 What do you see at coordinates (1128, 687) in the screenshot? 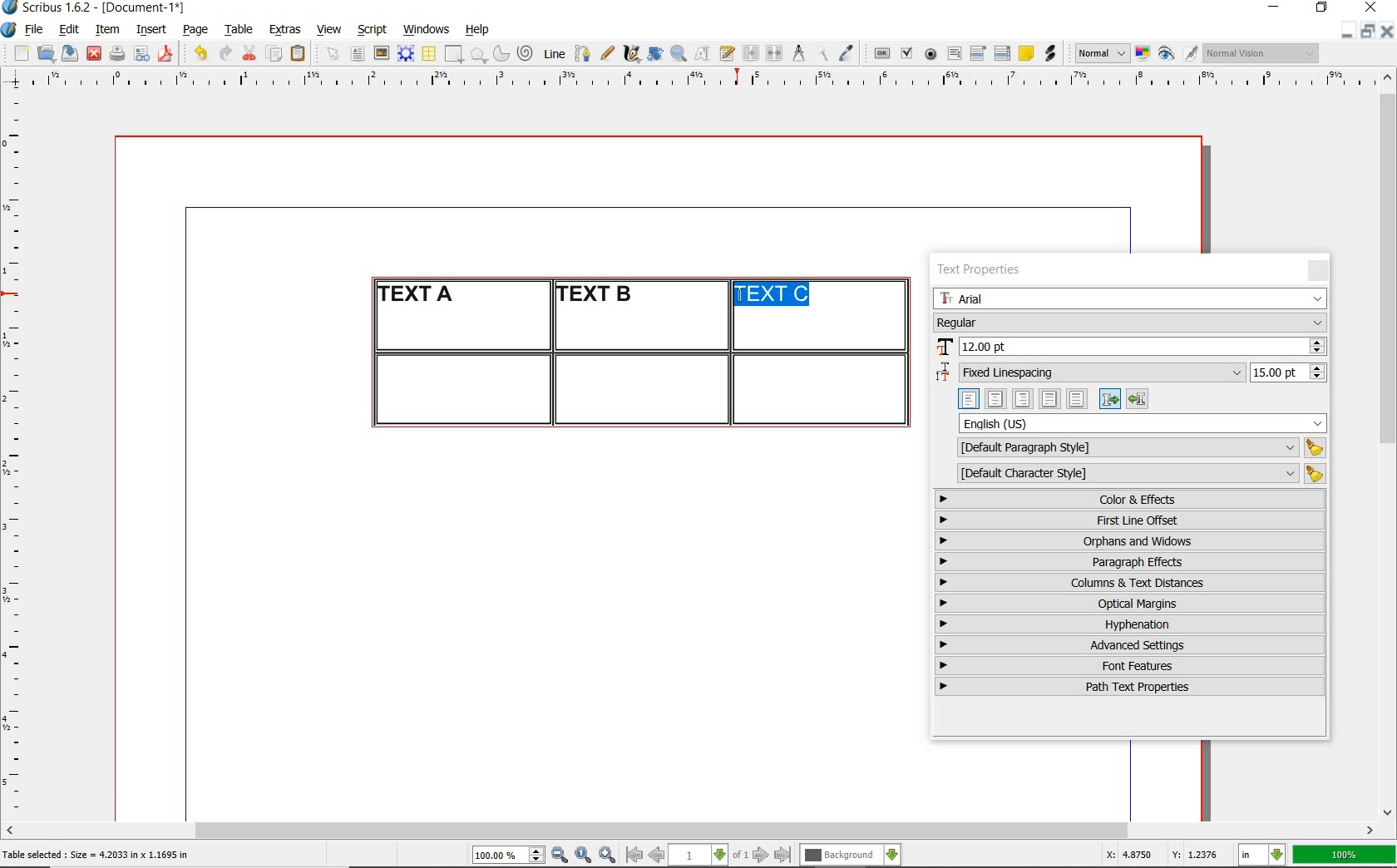
I see `path text properties` at bounding box center [1128, 687].